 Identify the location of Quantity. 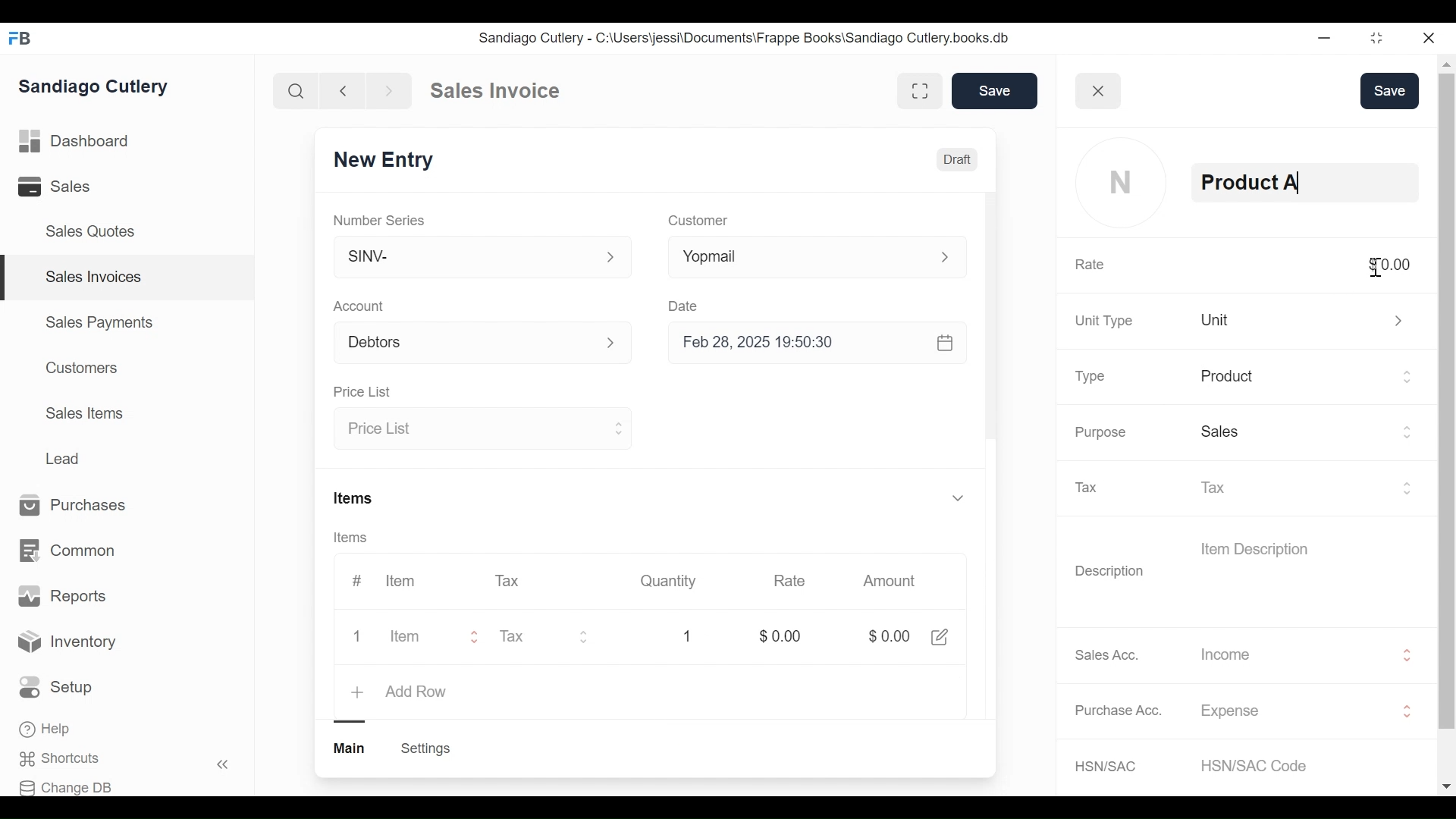
(667, 581).